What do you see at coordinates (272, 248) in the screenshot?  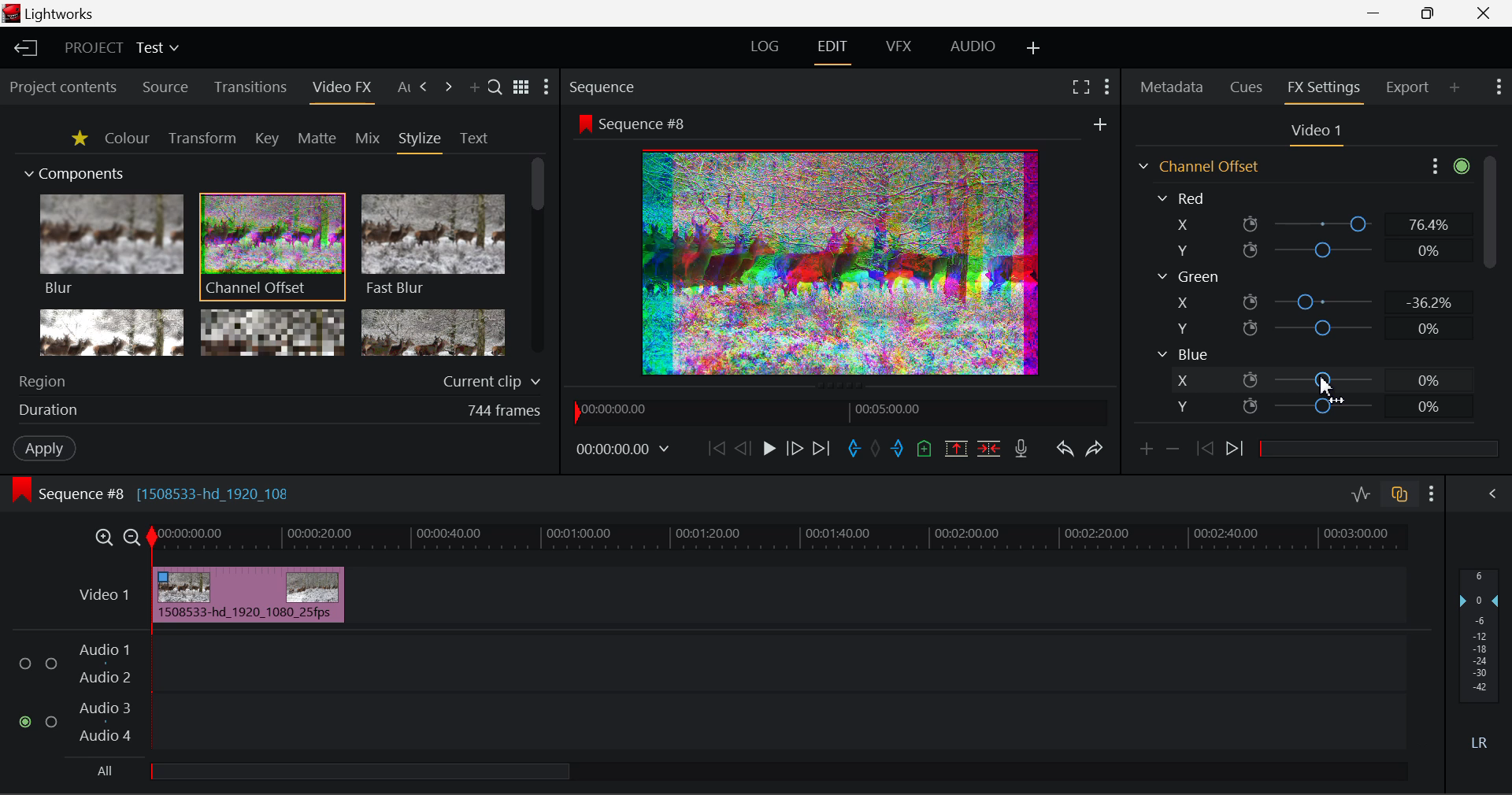 I see `Channel Offset` at bounding box center [272, 248].